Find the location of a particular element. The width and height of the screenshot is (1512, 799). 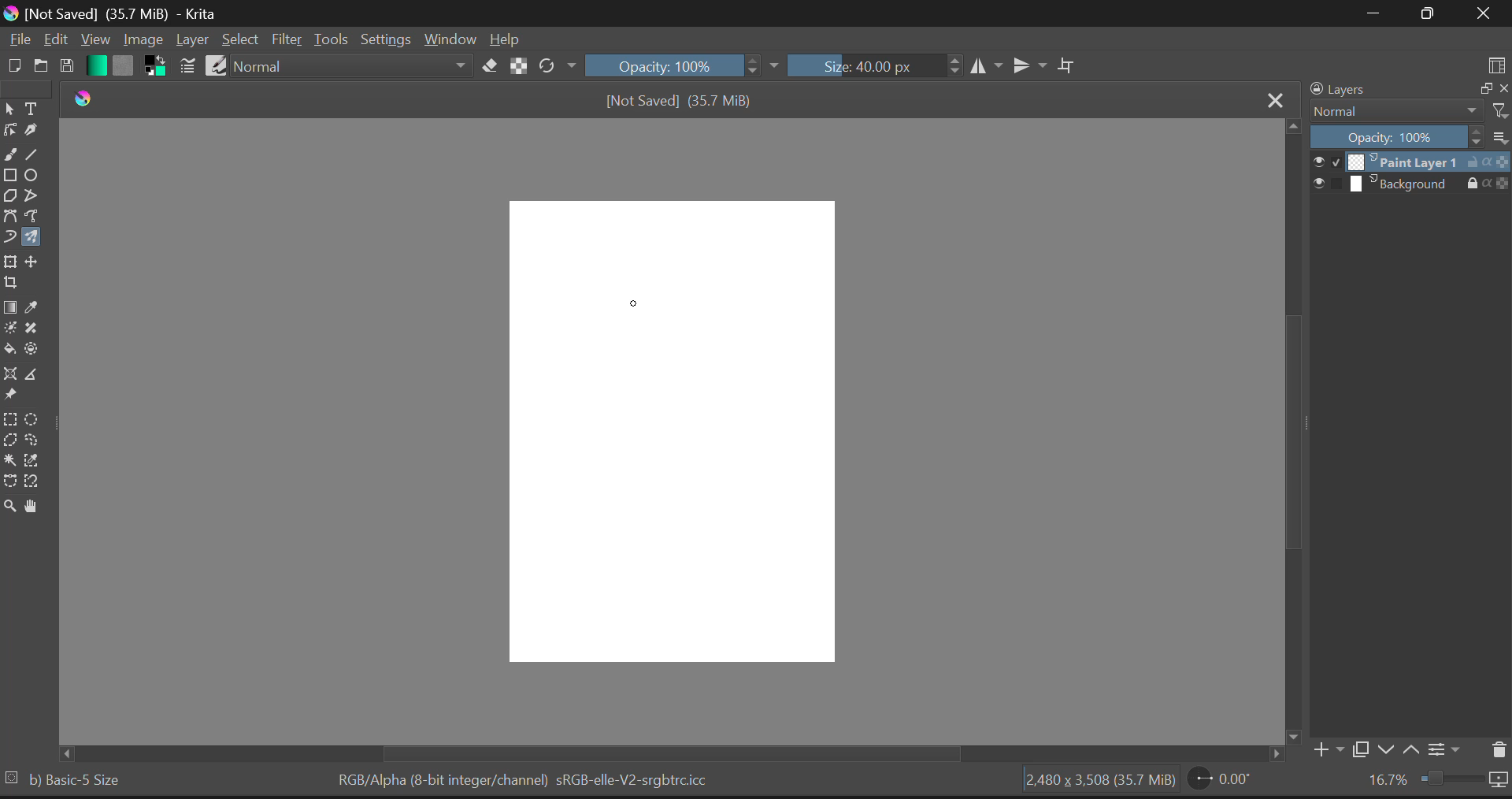

[Not Saved] (35.7 MiB) is located at coordinates (693, 102).